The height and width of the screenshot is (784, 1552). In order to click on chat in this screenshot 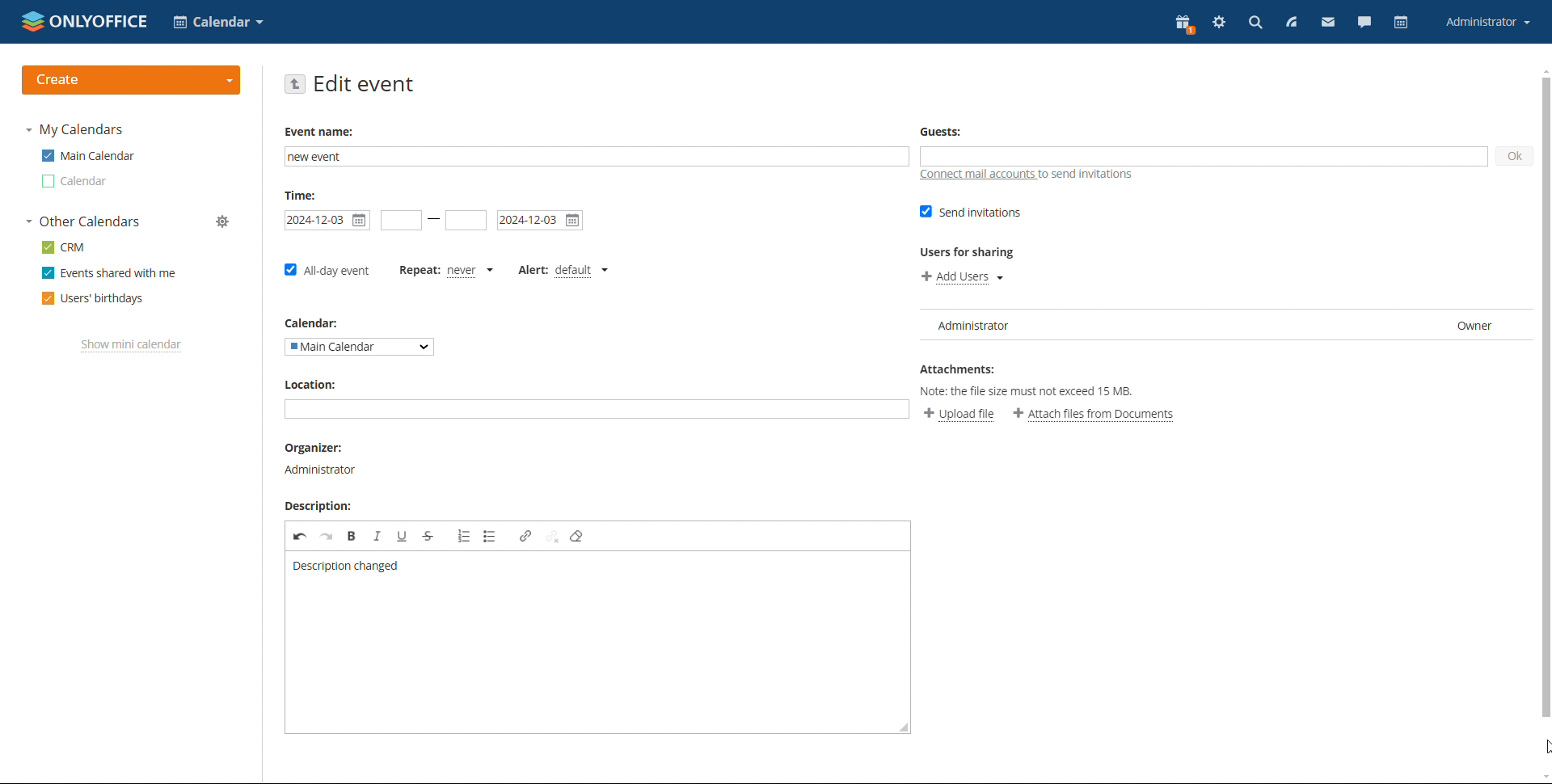, I will do `click(1365, 23)`.